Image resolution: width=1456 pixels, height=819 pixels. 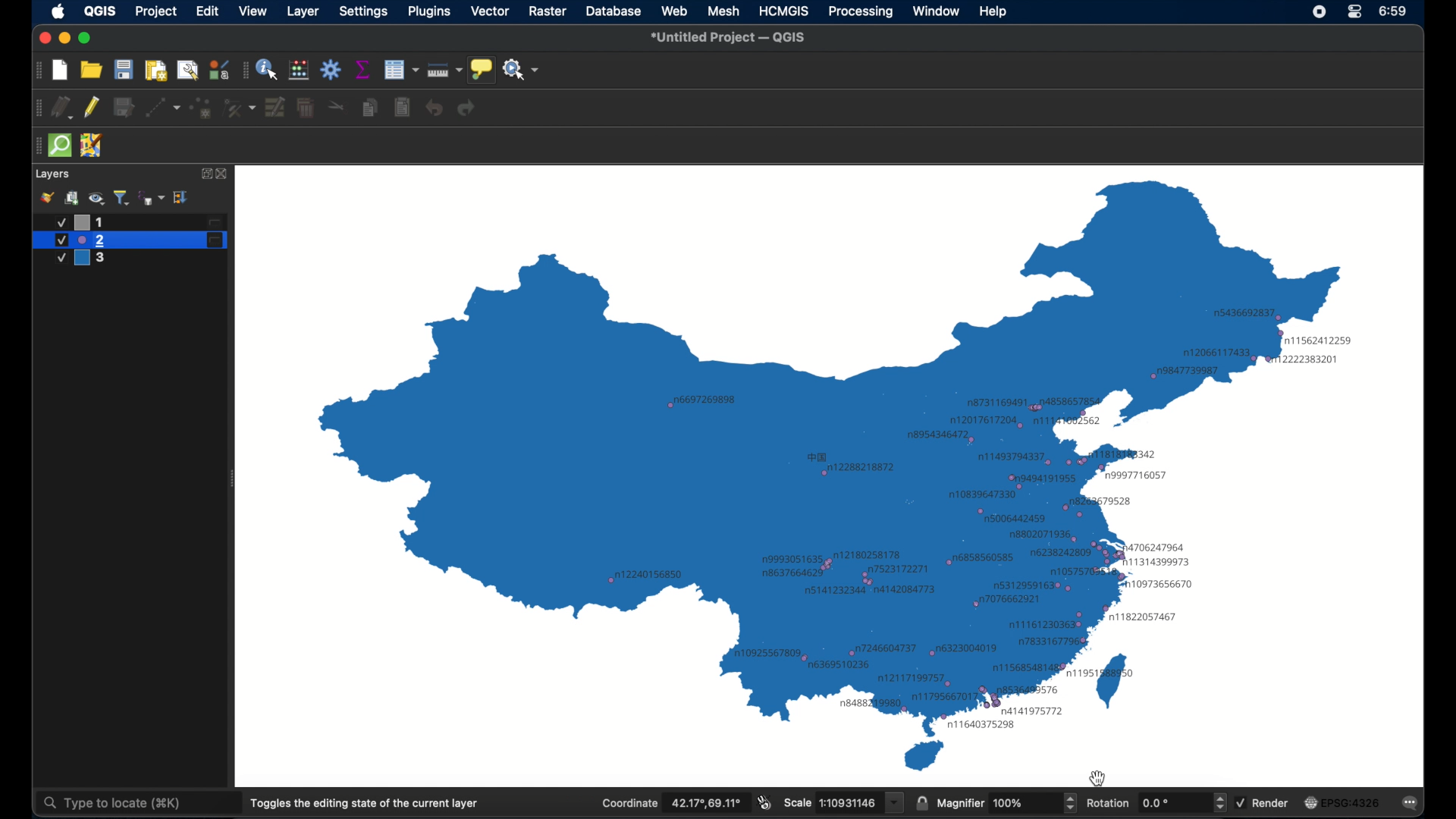 What do you see at coordinates (136, 222) in the screenshot?
I see `layer 1` at bounding box center [136, 222].